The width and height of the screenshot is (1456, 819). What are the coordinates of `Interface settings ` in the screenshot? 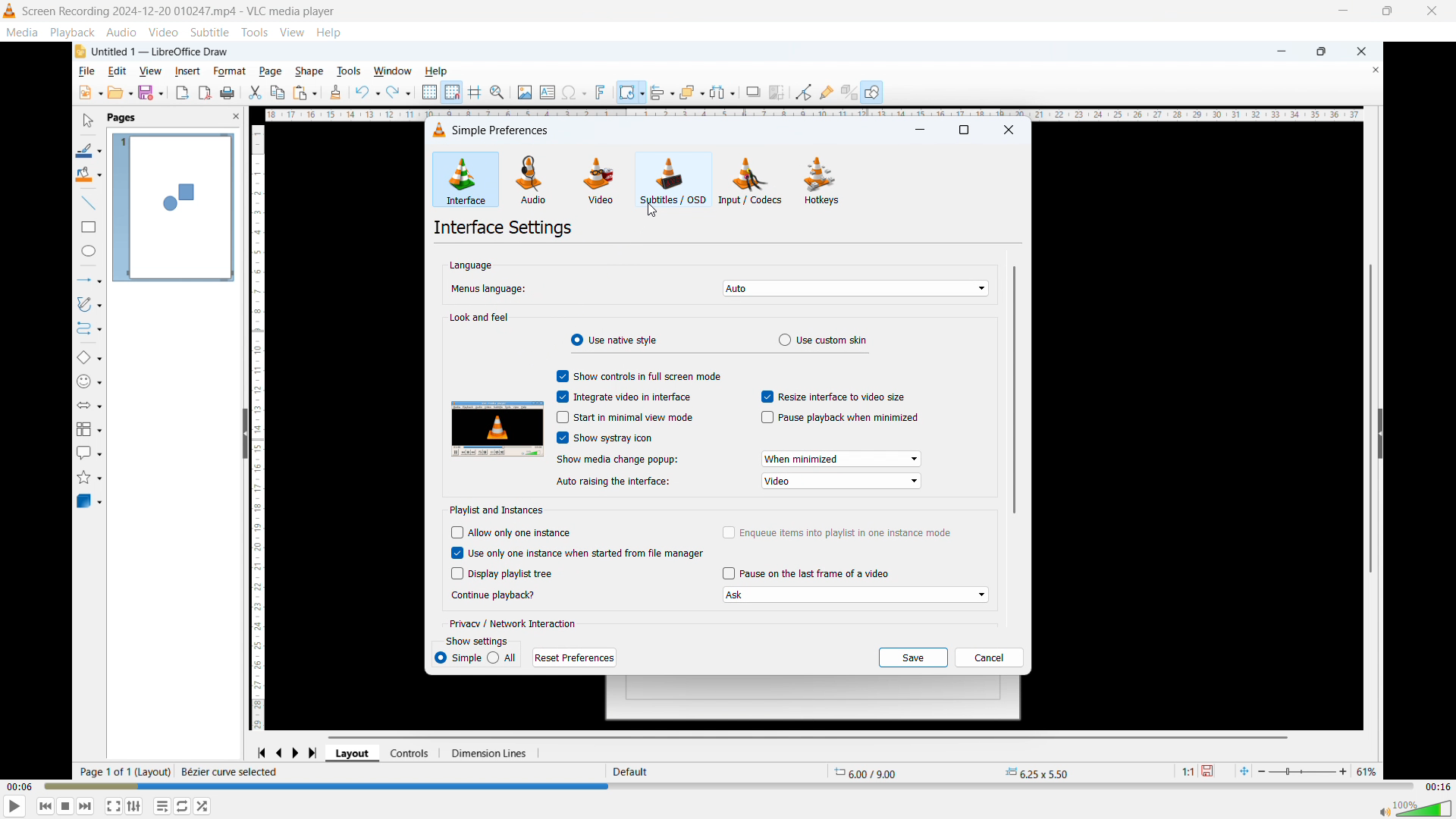 It's located at (504, 229).